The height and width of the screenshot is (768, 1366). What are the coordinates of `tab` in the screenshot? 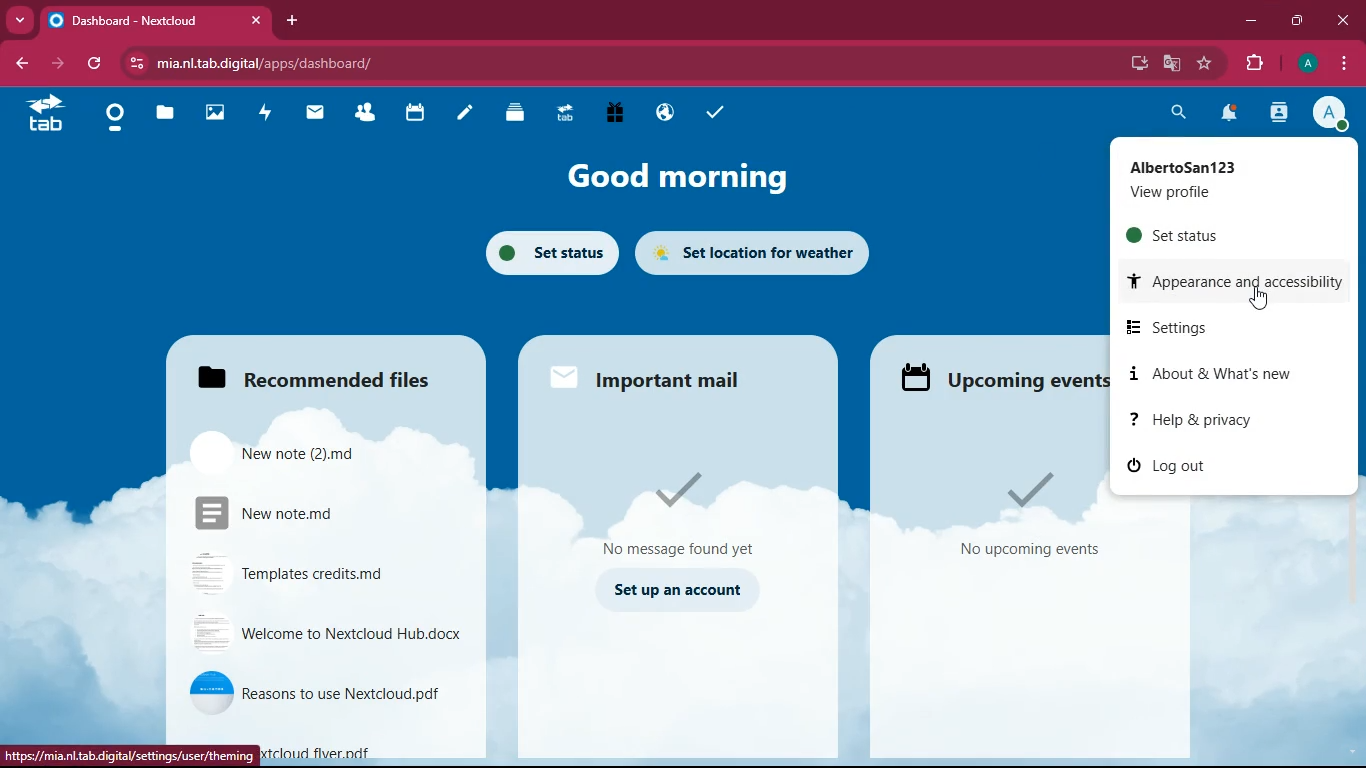 It's located at (561, 112).